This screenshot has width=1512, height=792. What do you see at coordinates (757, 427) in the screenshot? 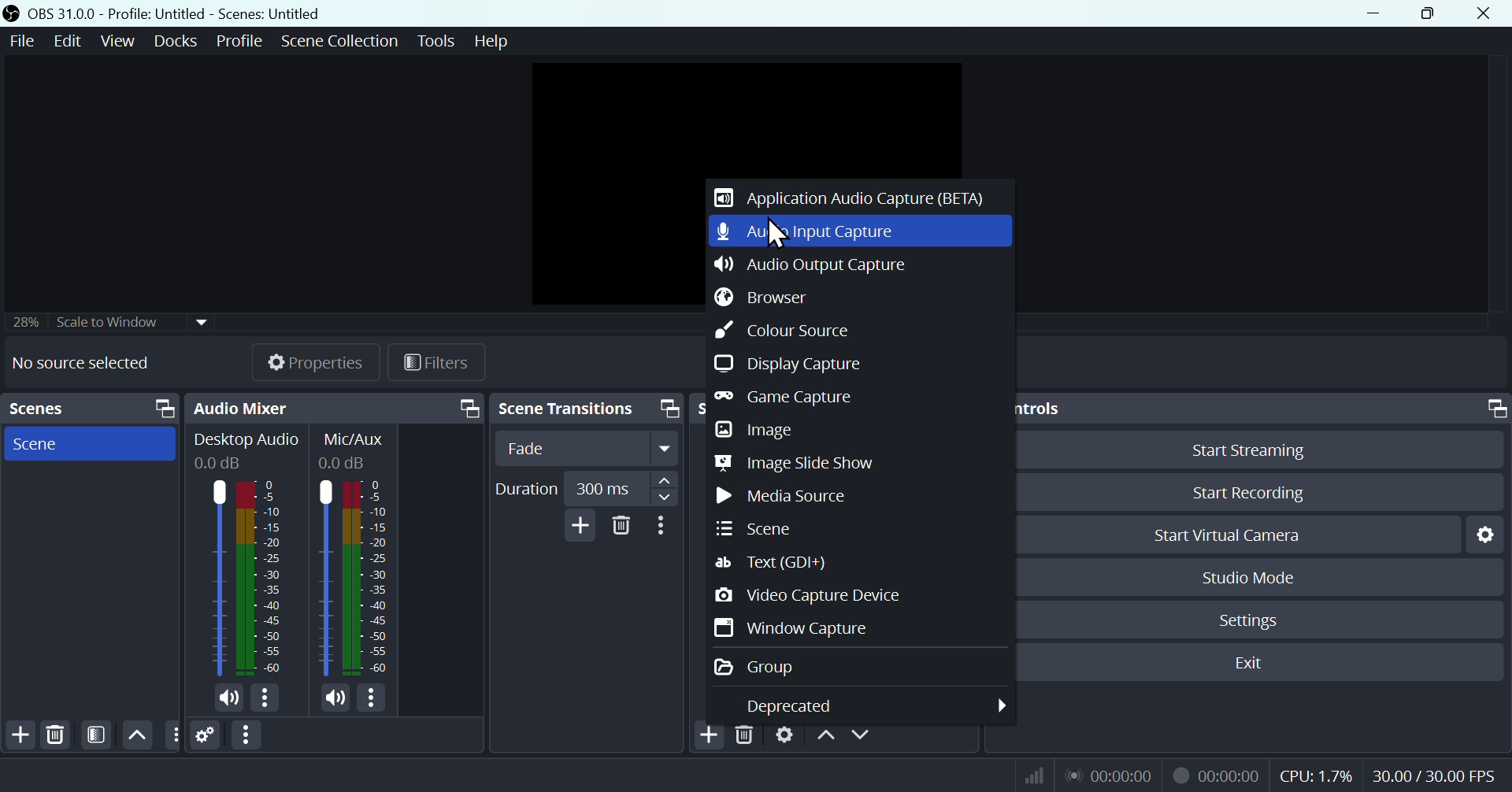
I see `Image` at bounding box center [757, 427].